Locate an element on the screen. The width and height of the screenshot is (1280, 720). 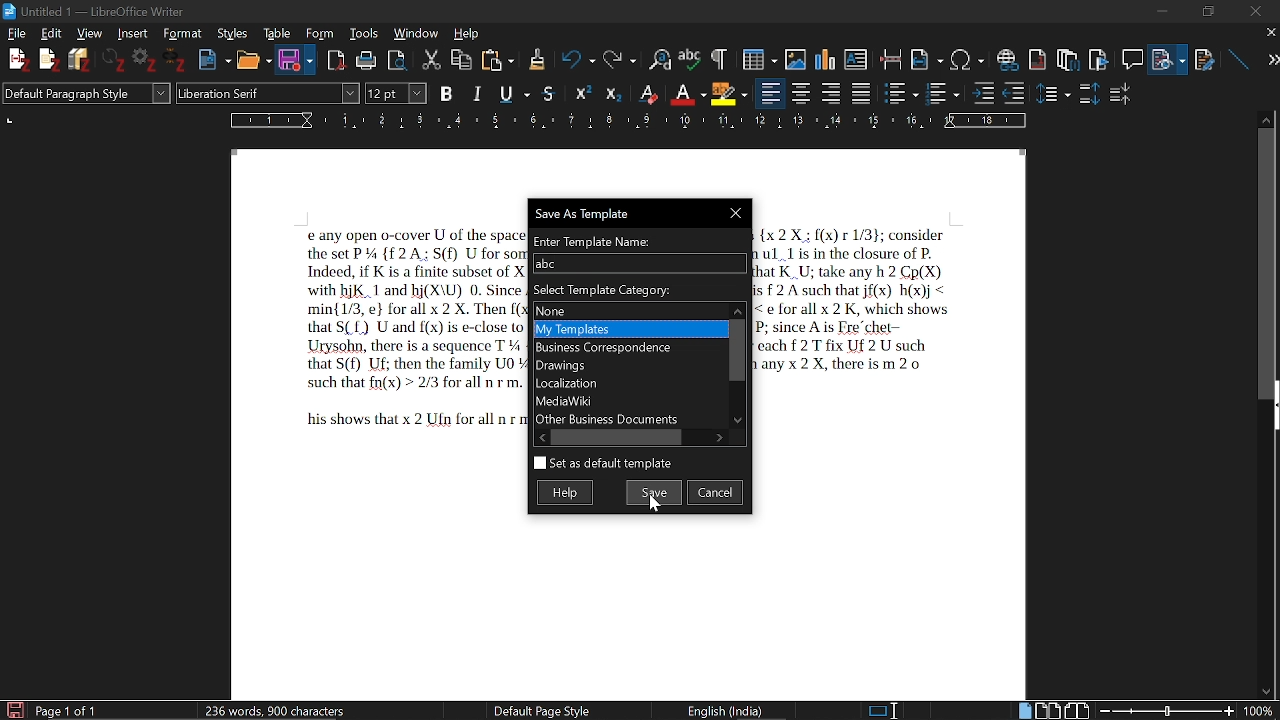
Book view is located at coordinates (1077, 709).